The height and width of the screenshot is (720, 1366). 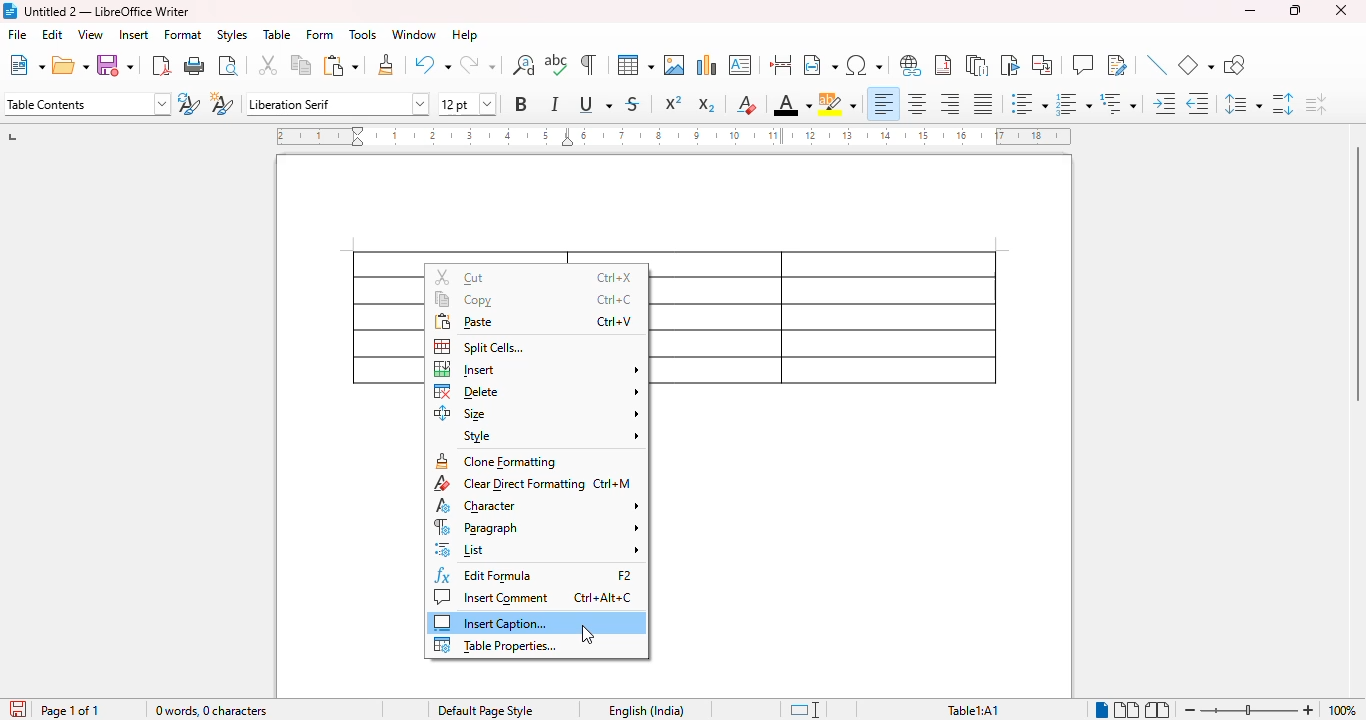 I want to click on text language, so click(x=647, y=711).